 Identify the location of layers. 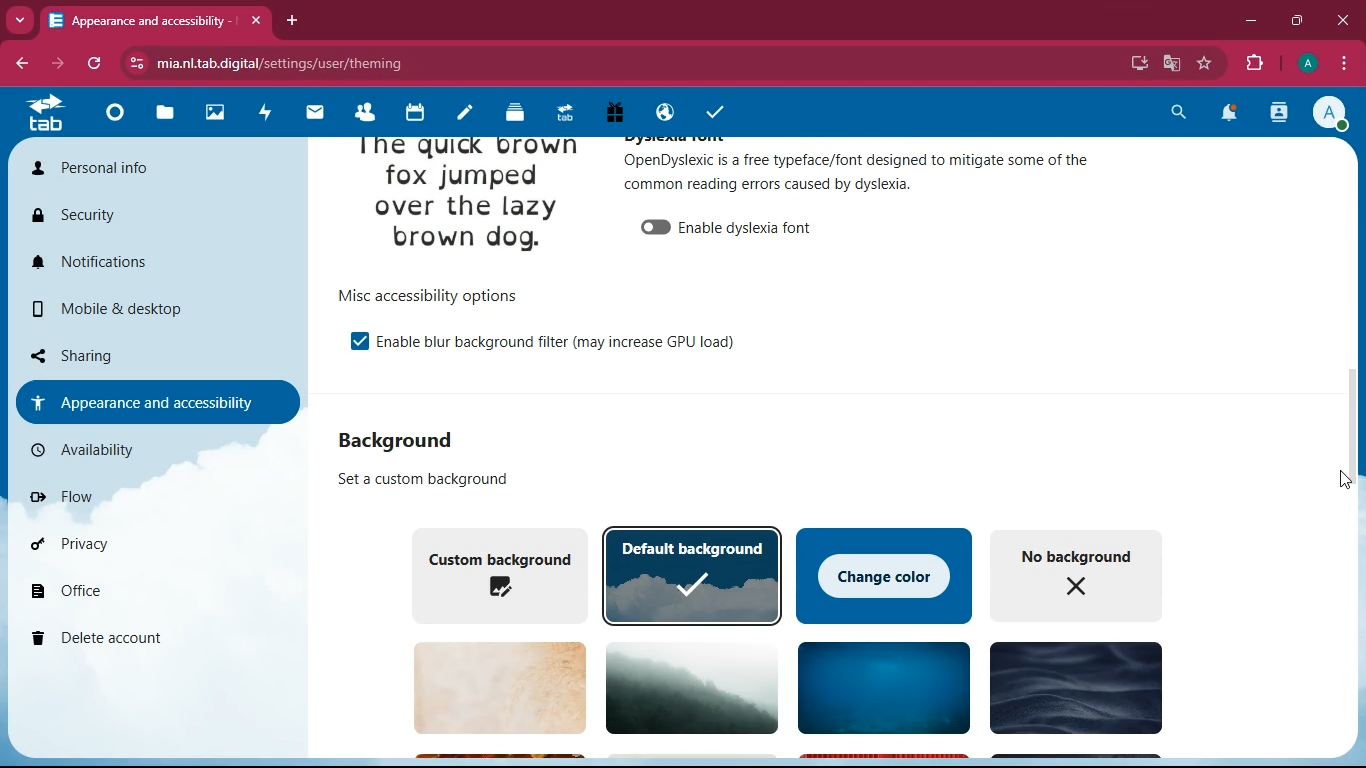
(508, 113).